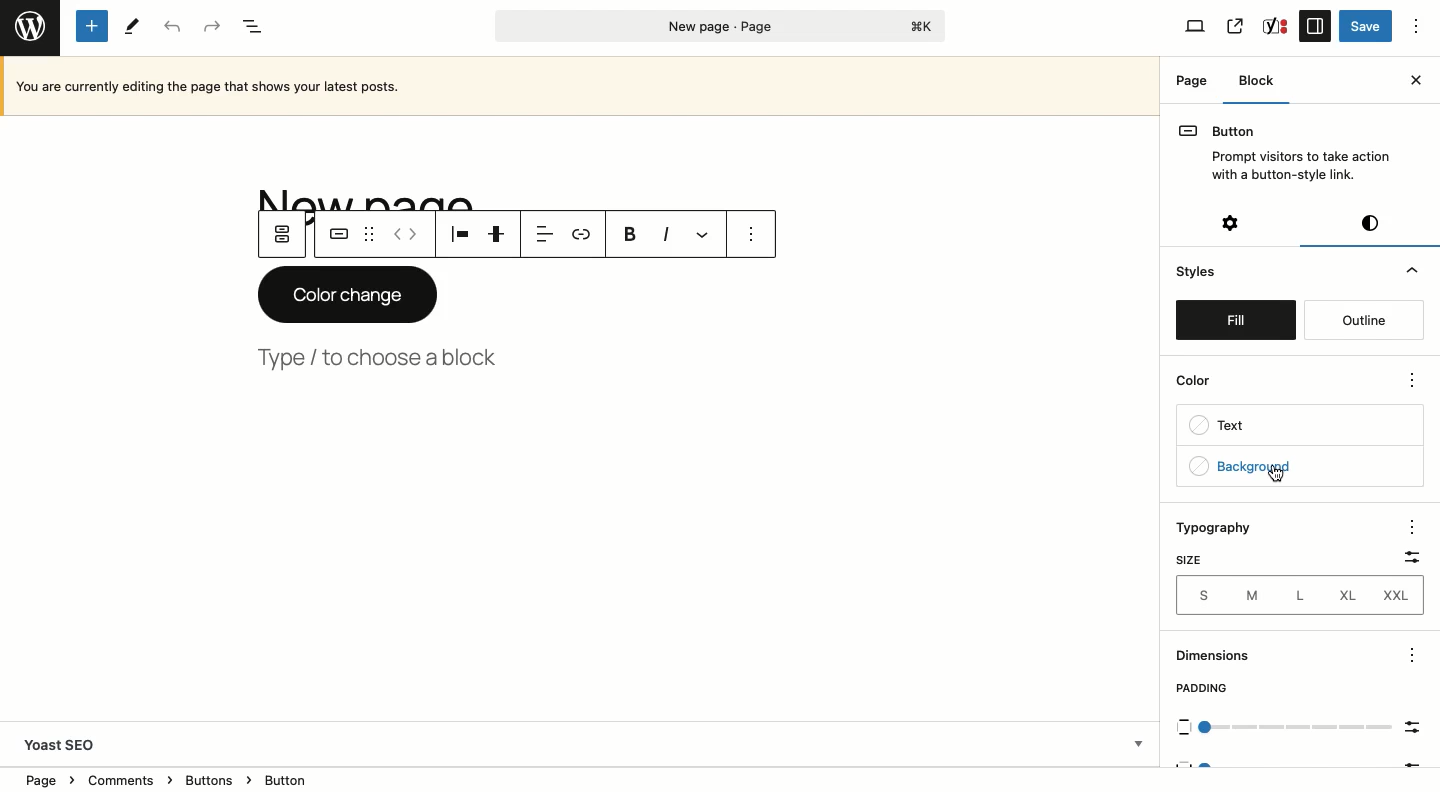  Describe the element at coordinates (581, 779) in the screenshot. I see `Location` at that location.